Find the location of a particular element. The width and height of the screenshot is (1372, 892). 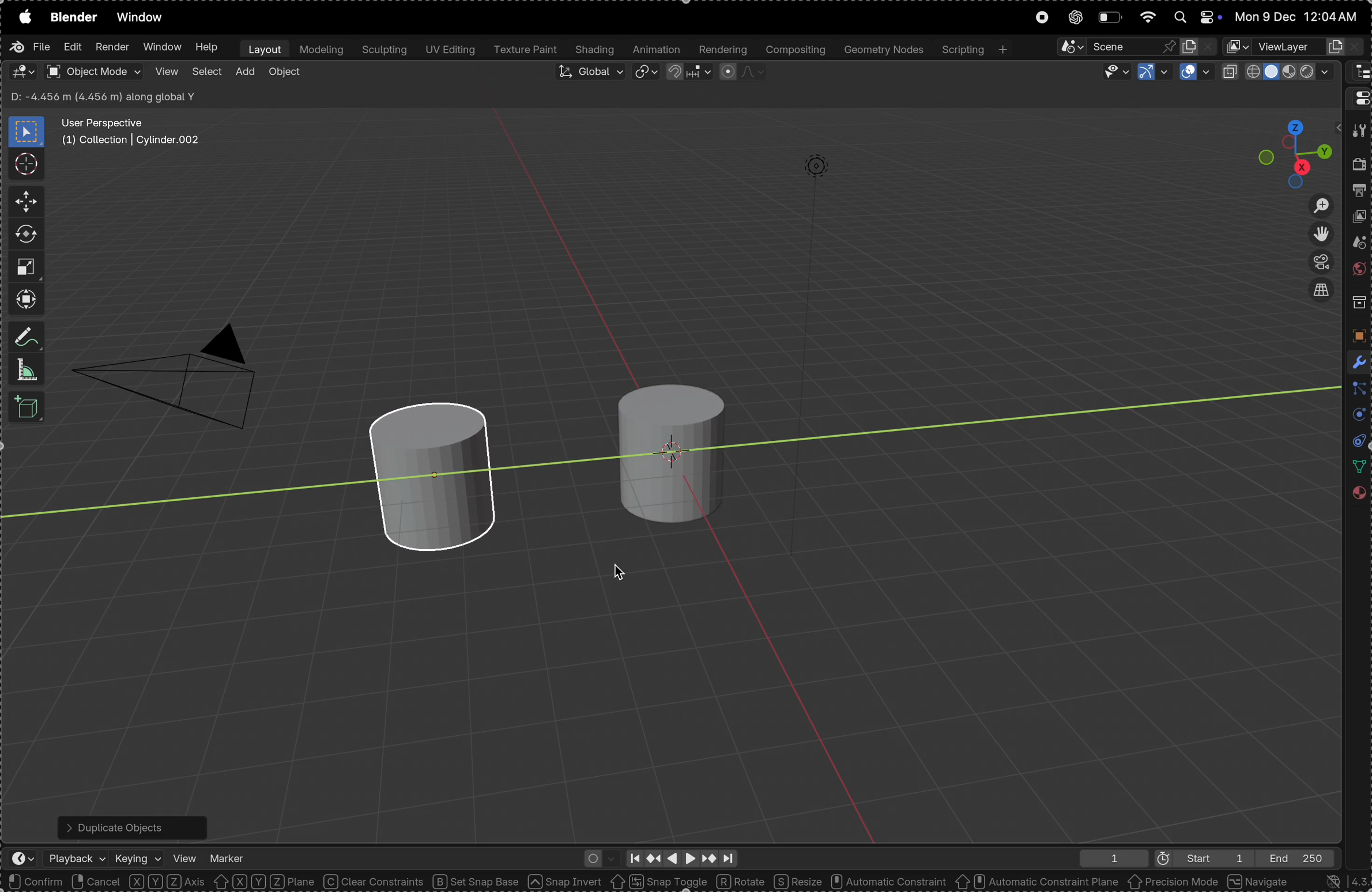

automatic constraint is located at coordinates (887, 882).